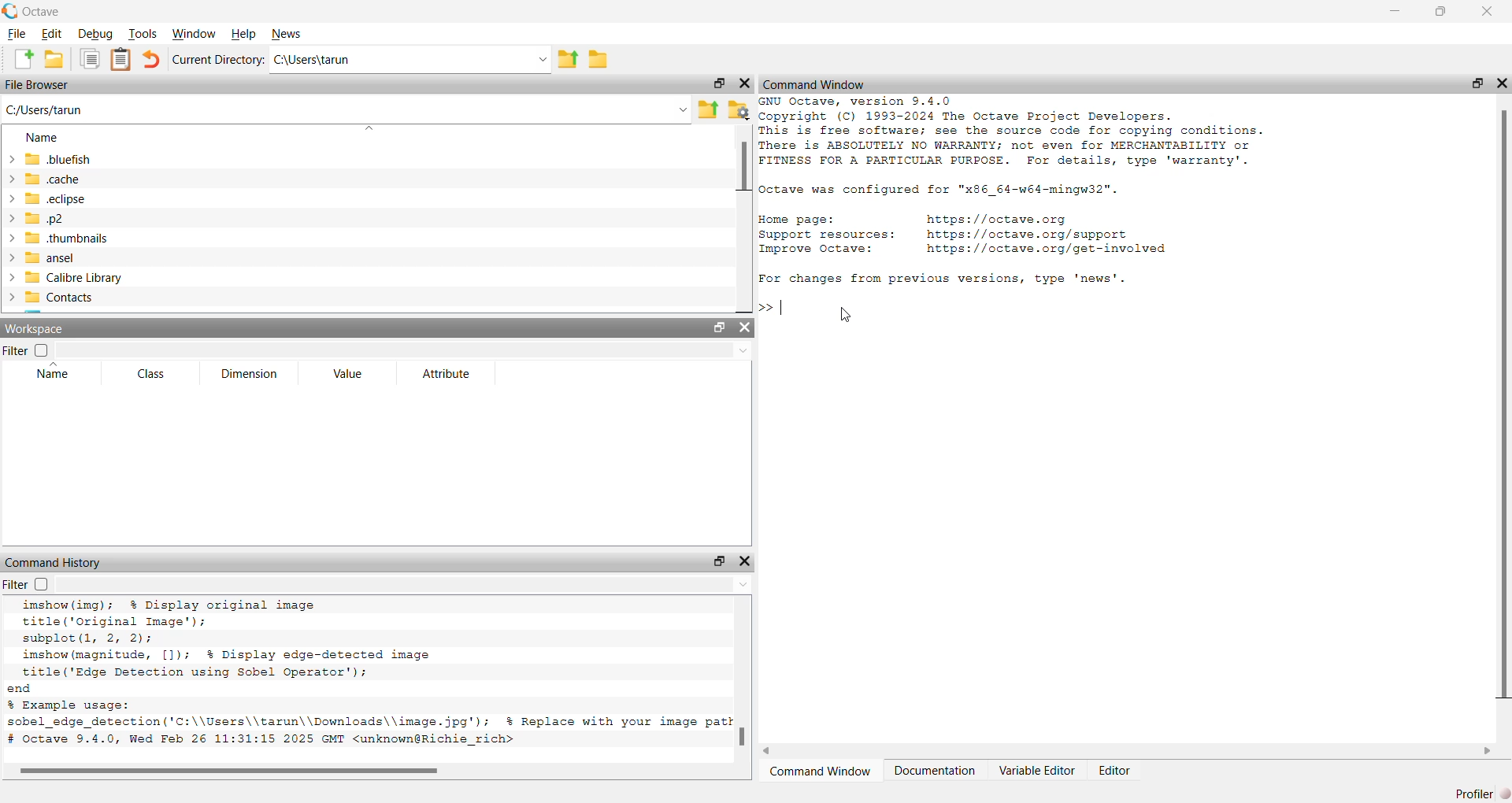 Image resolution: width=1512 pixels, height=803 pixels. What do you see at coordinates (46, 179) in the screenshot?
I see `“cache` at bounding box center [46, 179].